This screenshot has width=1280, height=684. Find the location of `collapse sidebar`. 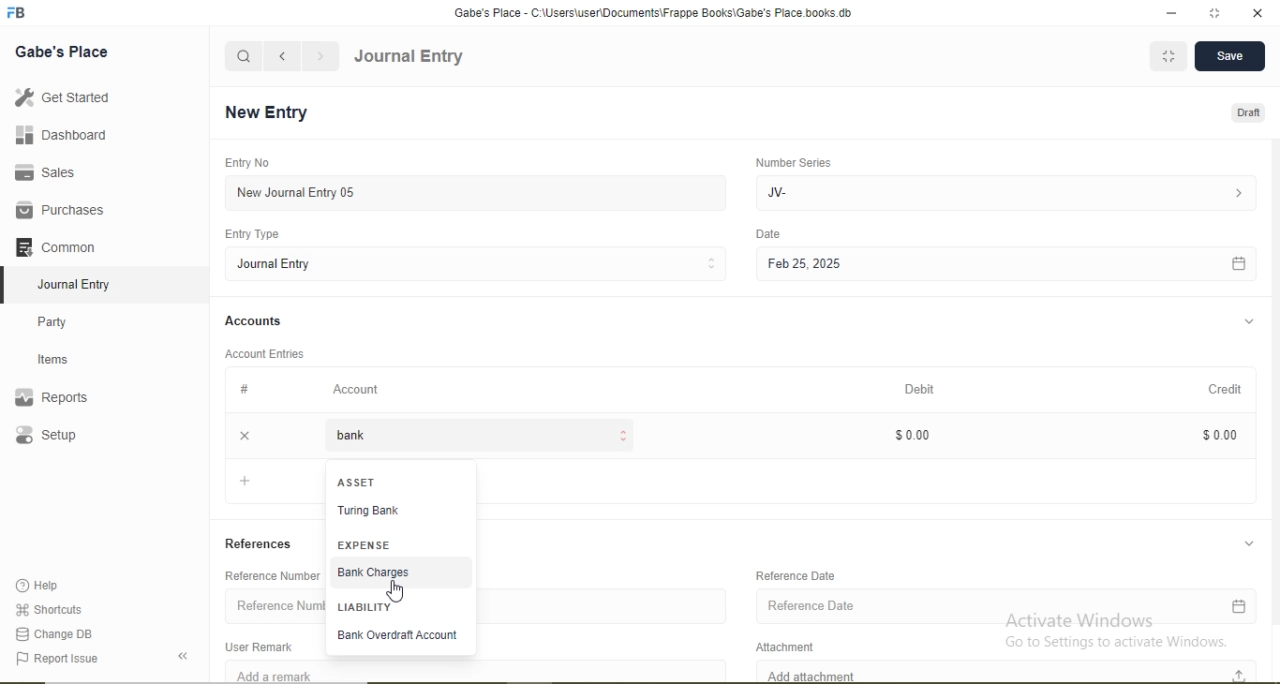

collapse sidebar is located at coordinates (186, 656).